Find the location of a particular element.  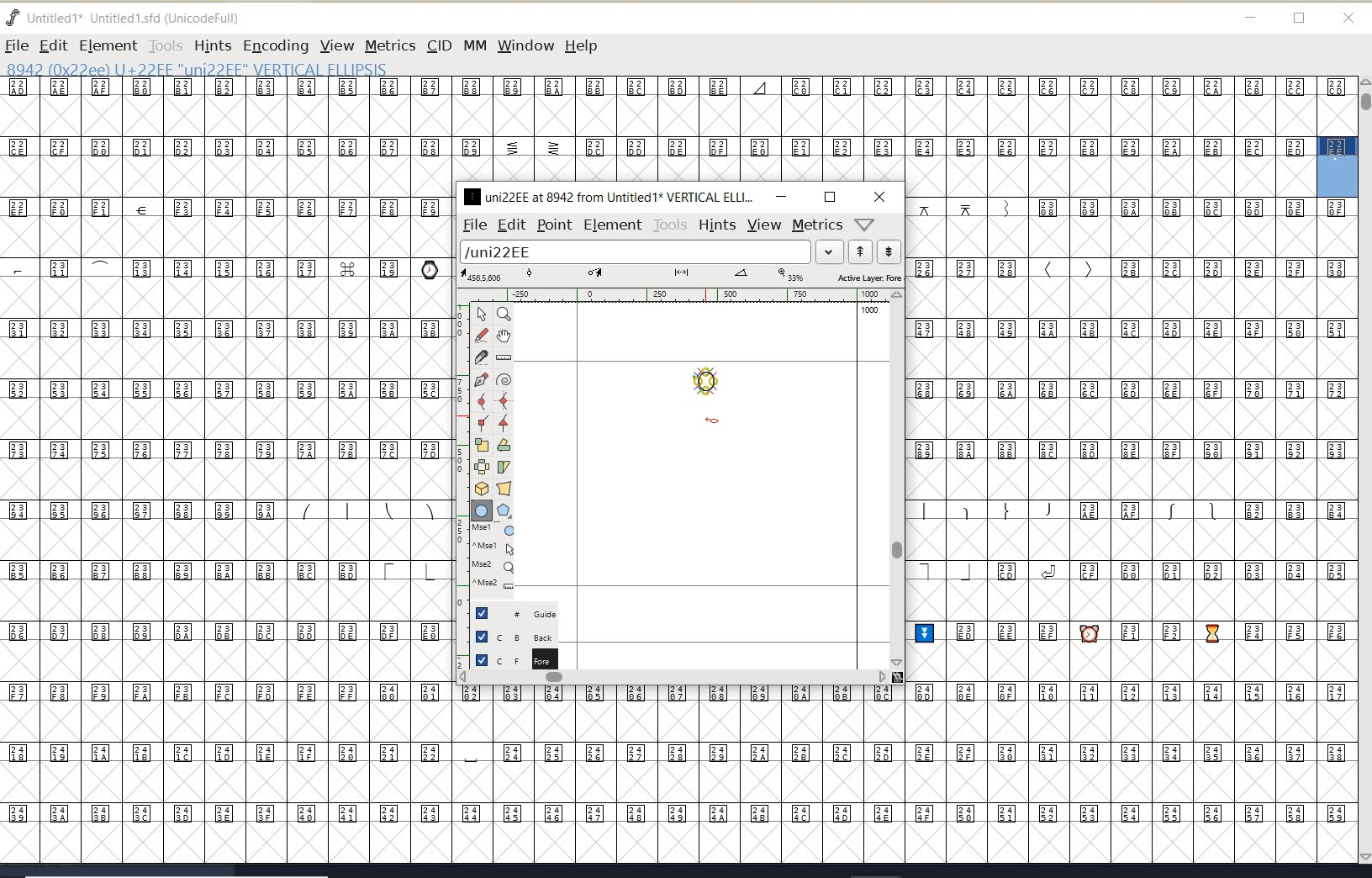

background is located at coordinates (517, 636).